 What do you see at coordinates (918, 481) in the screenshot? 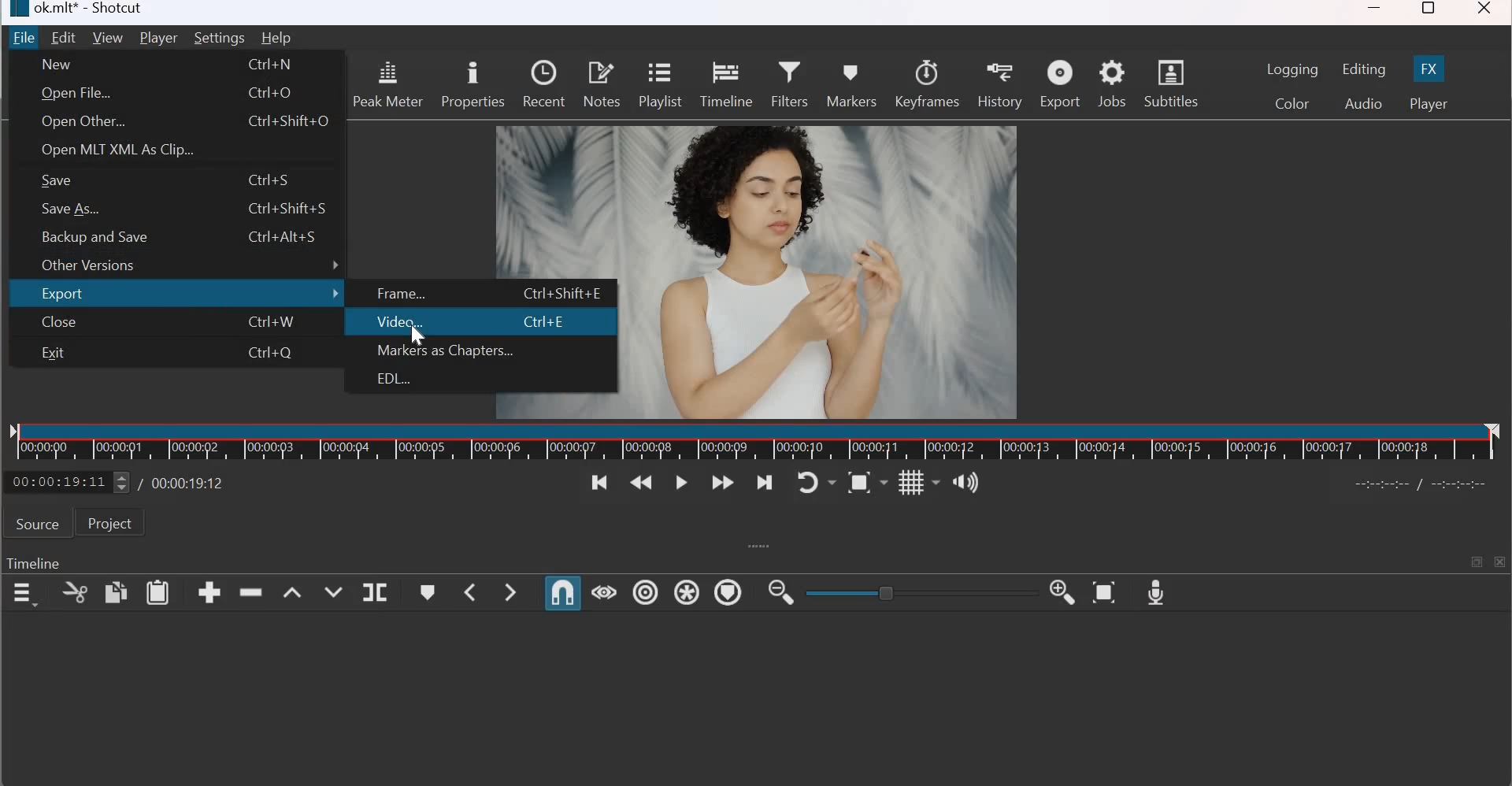
I see `Toggle grid display on the player` at bounding box center [918, 481].